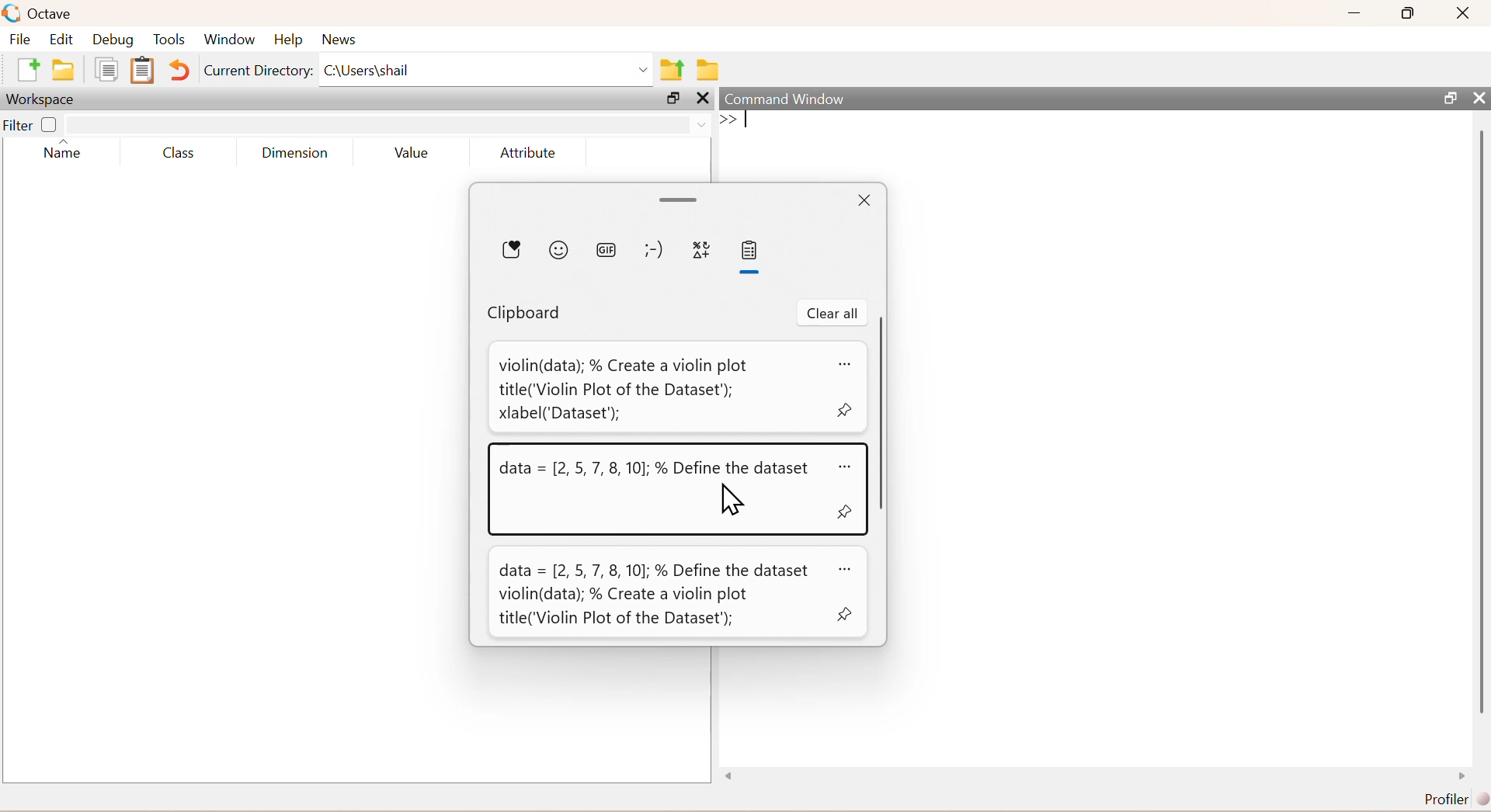  I want to click on Workspace, so click(40, 100).